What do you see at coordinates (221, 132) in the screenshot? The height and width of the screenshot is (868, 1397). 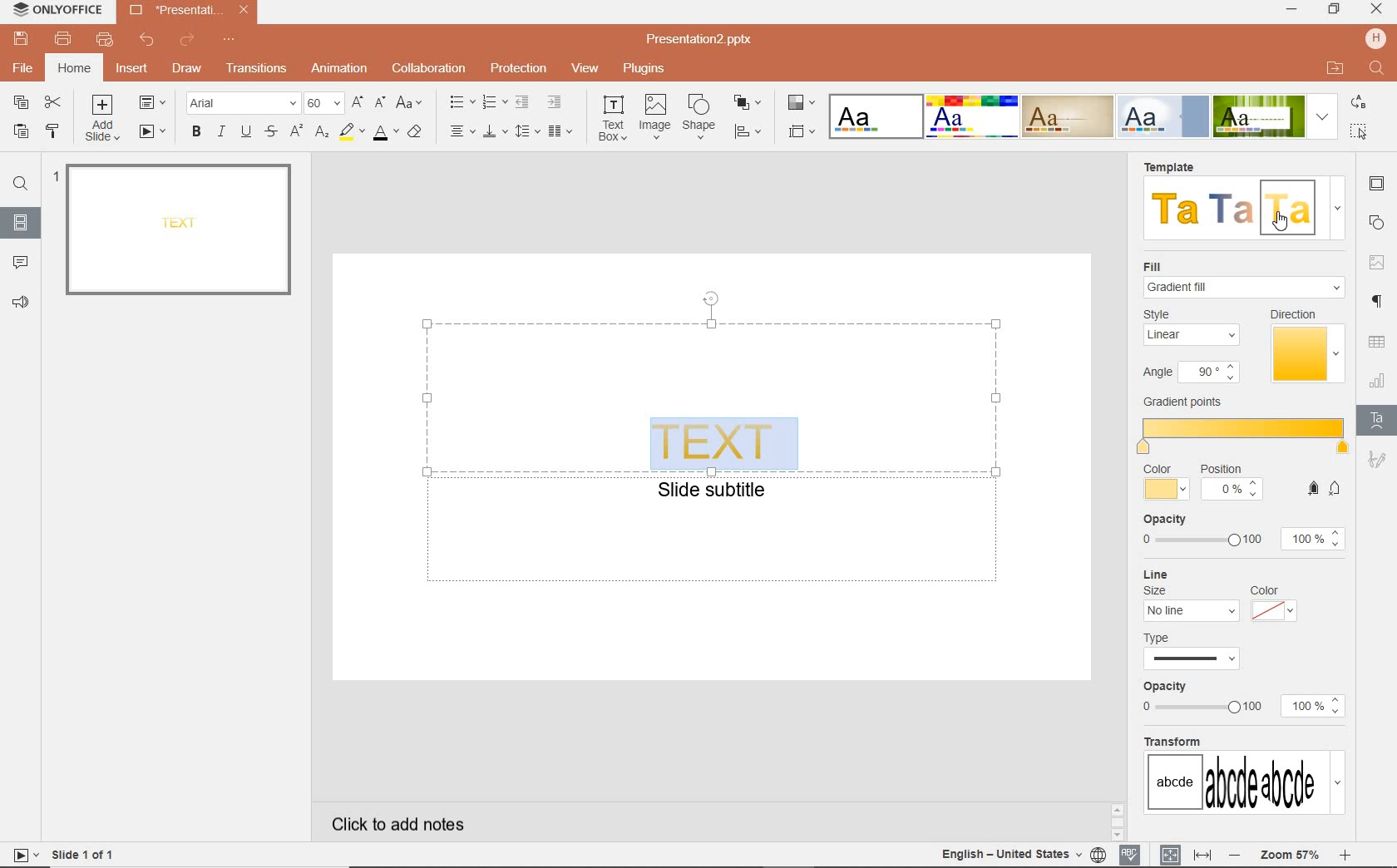 I see `ITALIC` at bounding box center [221, 132].